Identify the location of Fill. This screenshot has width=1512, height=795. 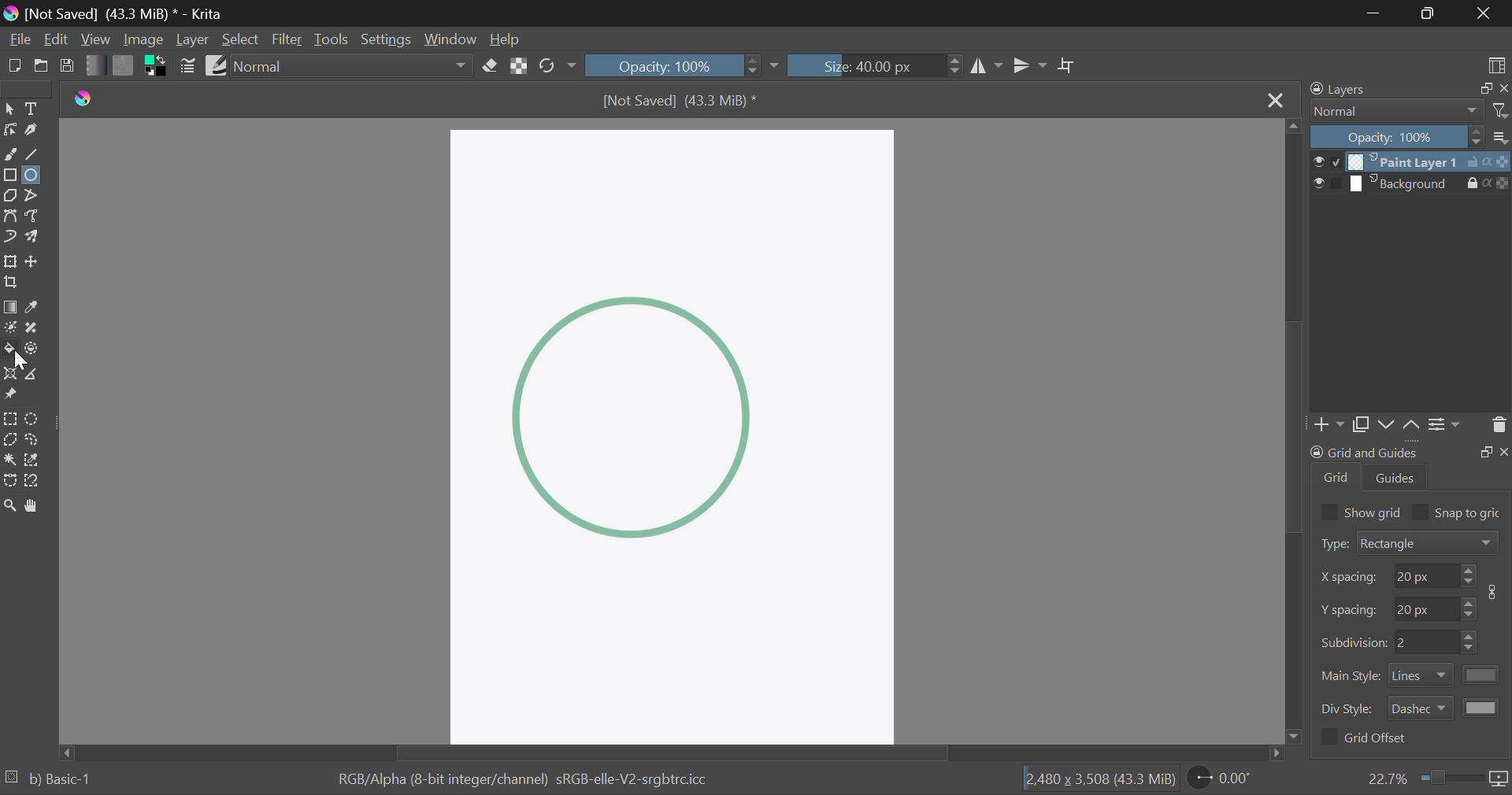
(9, 349).